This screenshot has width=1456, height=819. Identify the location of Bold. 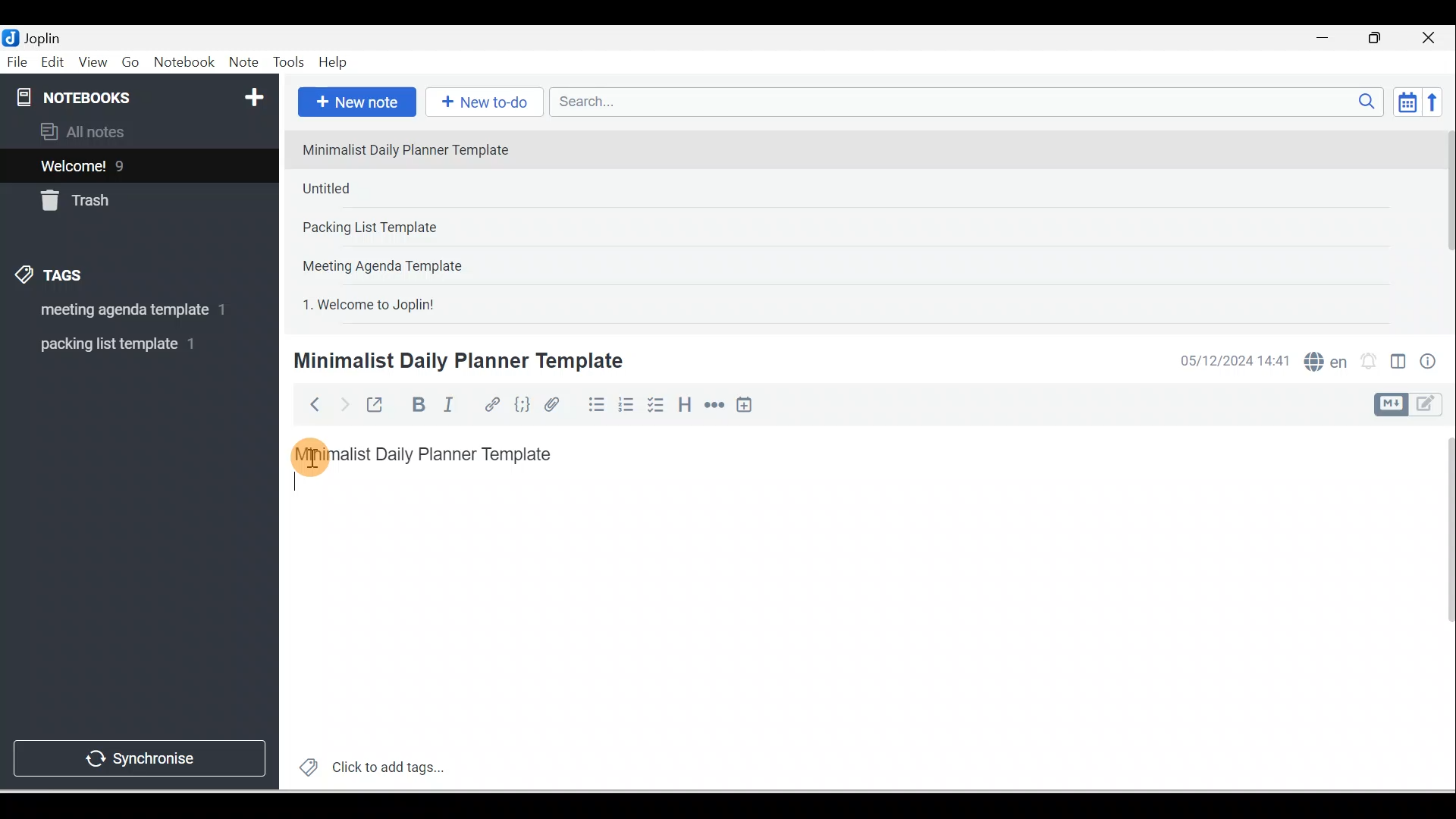
(416, 405).